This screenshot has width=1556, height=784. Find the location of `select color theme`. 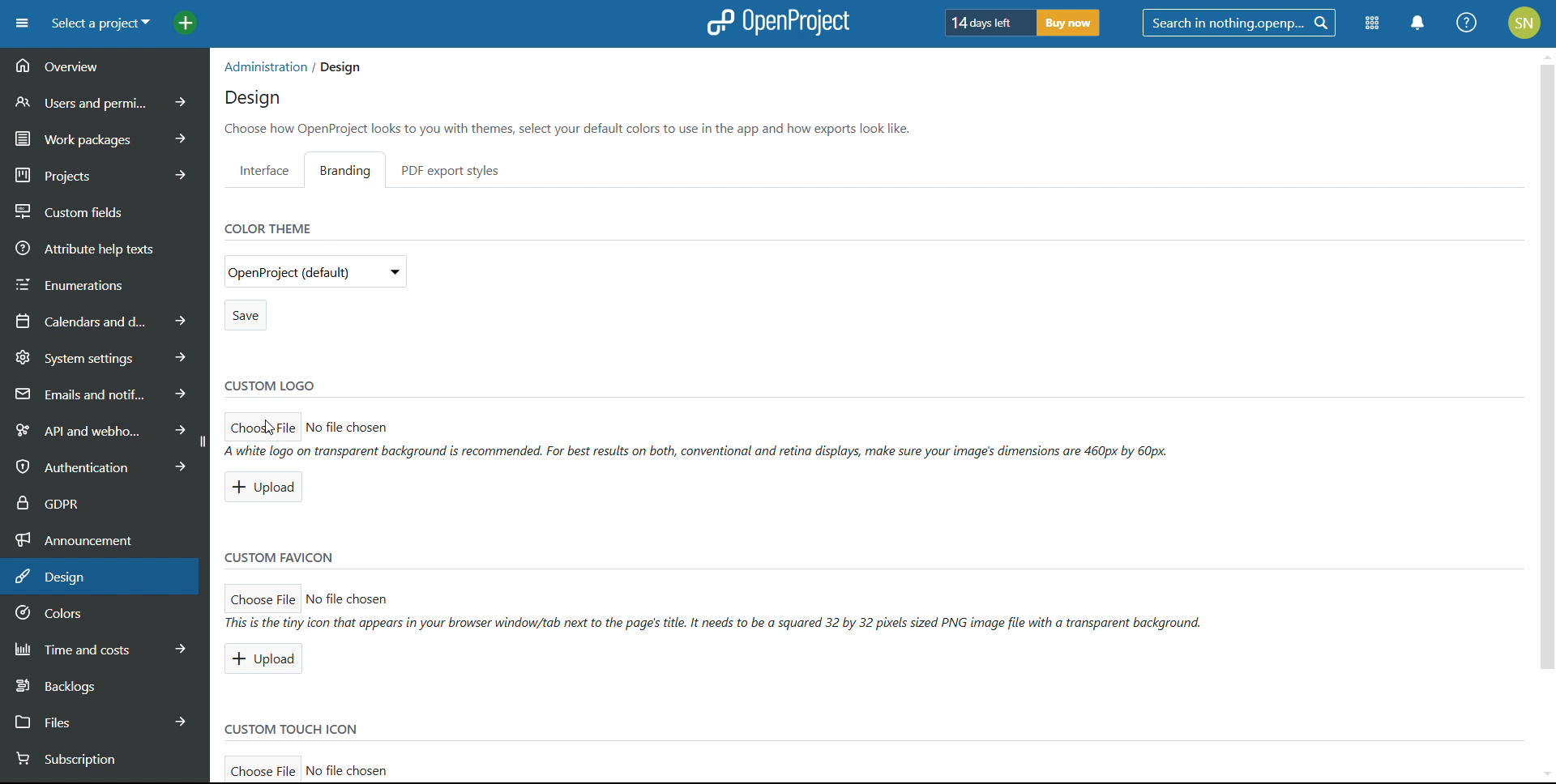

select color theme is located at coordinates (315, 271).